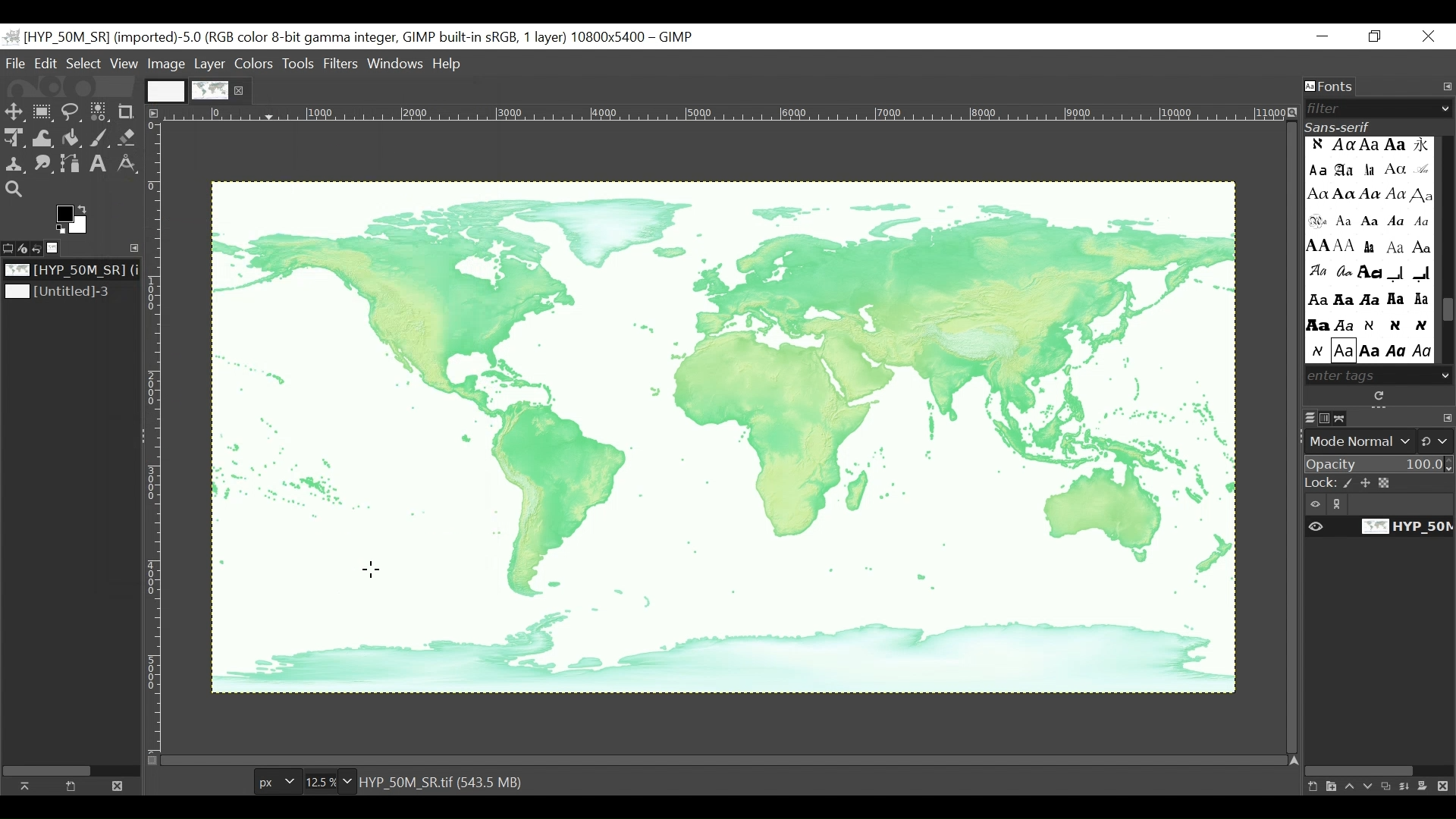 Image resolution: width=1456 pixels, height=819 pixels. I want to click on Crop Tool, so click(129, 111).